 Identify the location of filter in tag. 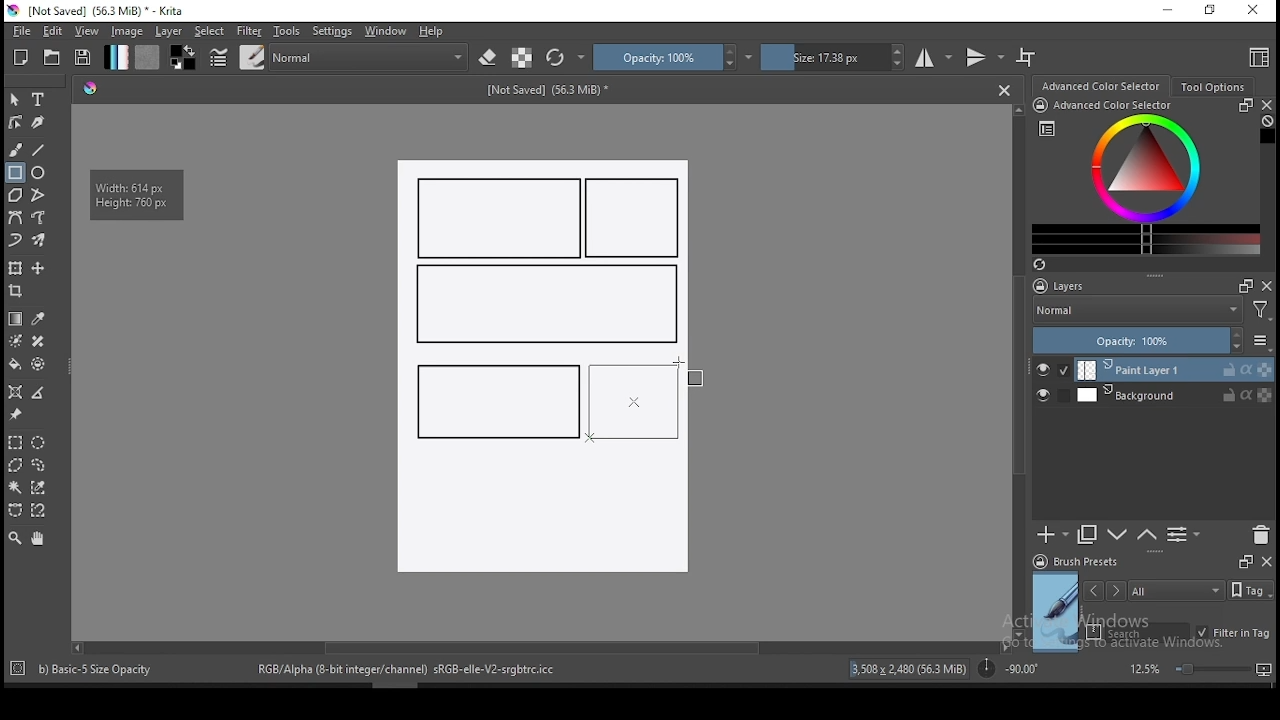
(1233, 634).